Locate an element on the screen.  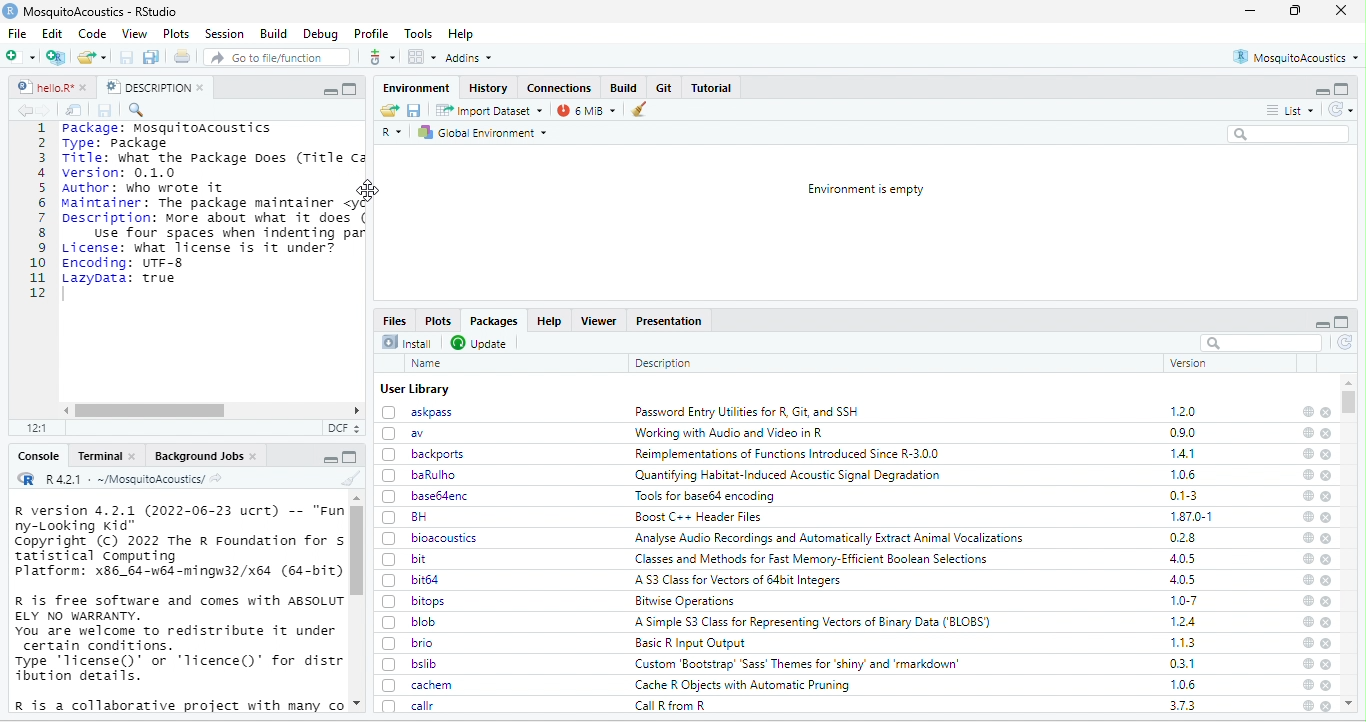
Boost C++ Header Files is located at coordinates (699, 517).